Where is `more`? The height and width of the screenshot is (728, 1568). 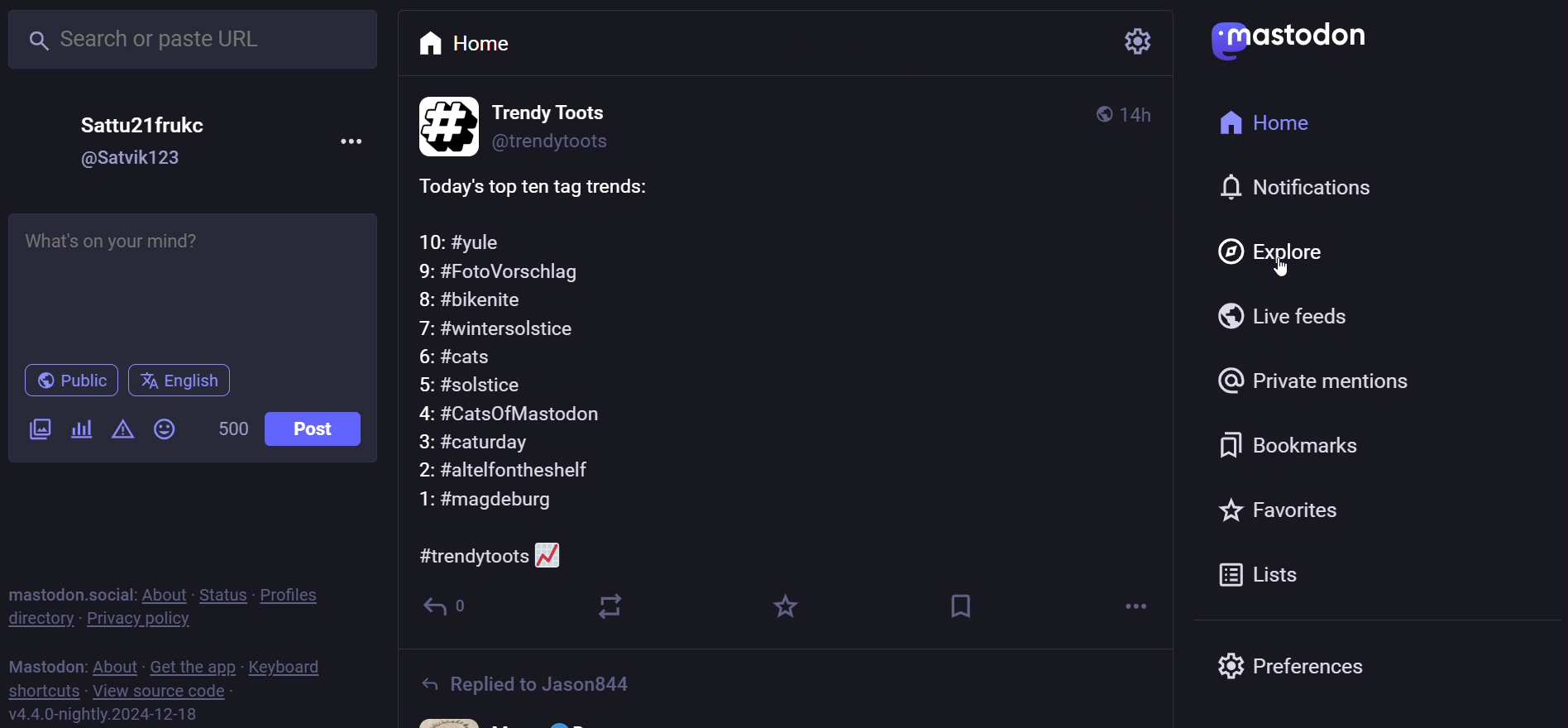 more is located at coordinates (1122, 607).